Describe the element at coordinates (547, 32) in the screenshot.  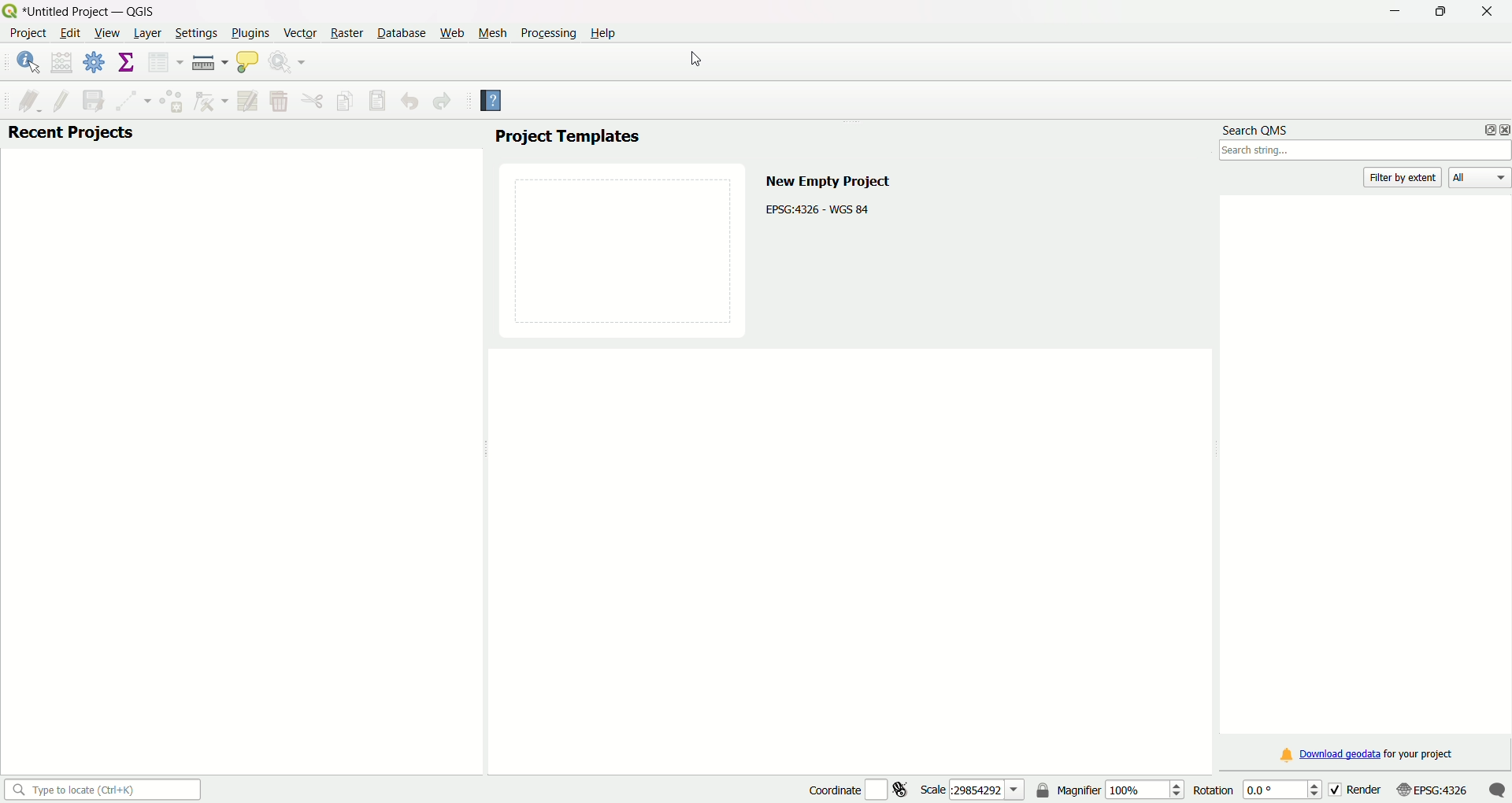
I see `Processing` at that location.